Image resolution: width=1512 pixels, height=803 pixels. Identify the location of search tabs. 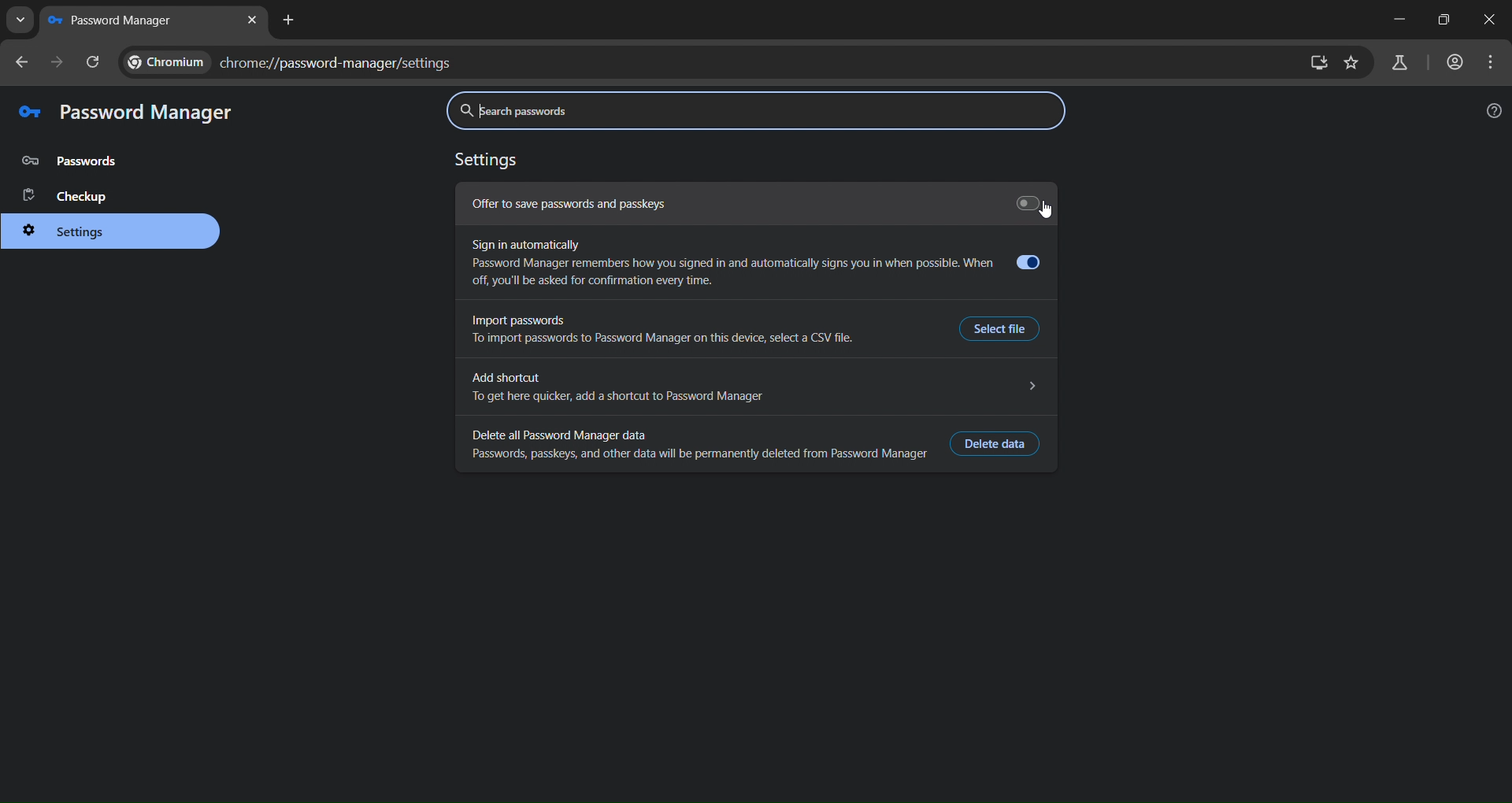
(18, 17).